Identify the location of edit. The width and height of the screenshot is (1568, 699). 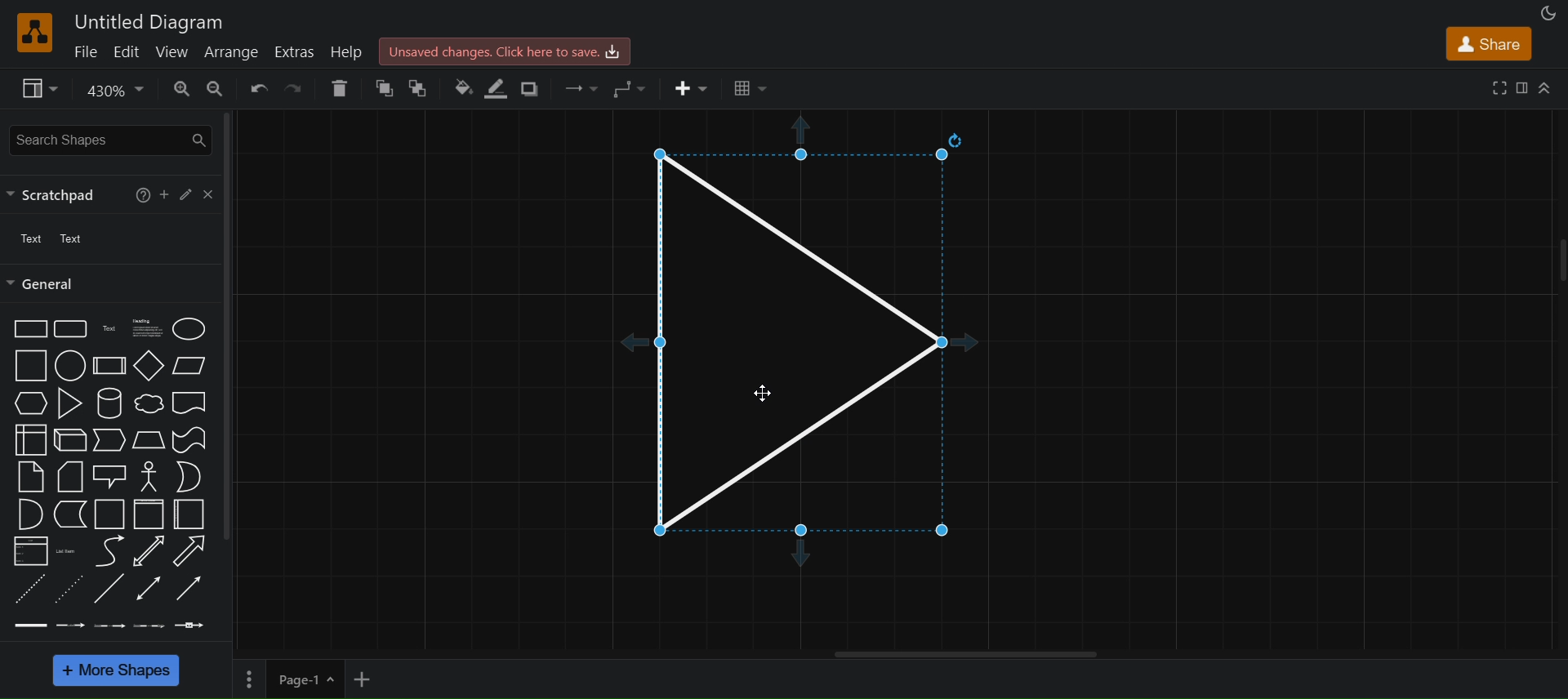
(128, 51).